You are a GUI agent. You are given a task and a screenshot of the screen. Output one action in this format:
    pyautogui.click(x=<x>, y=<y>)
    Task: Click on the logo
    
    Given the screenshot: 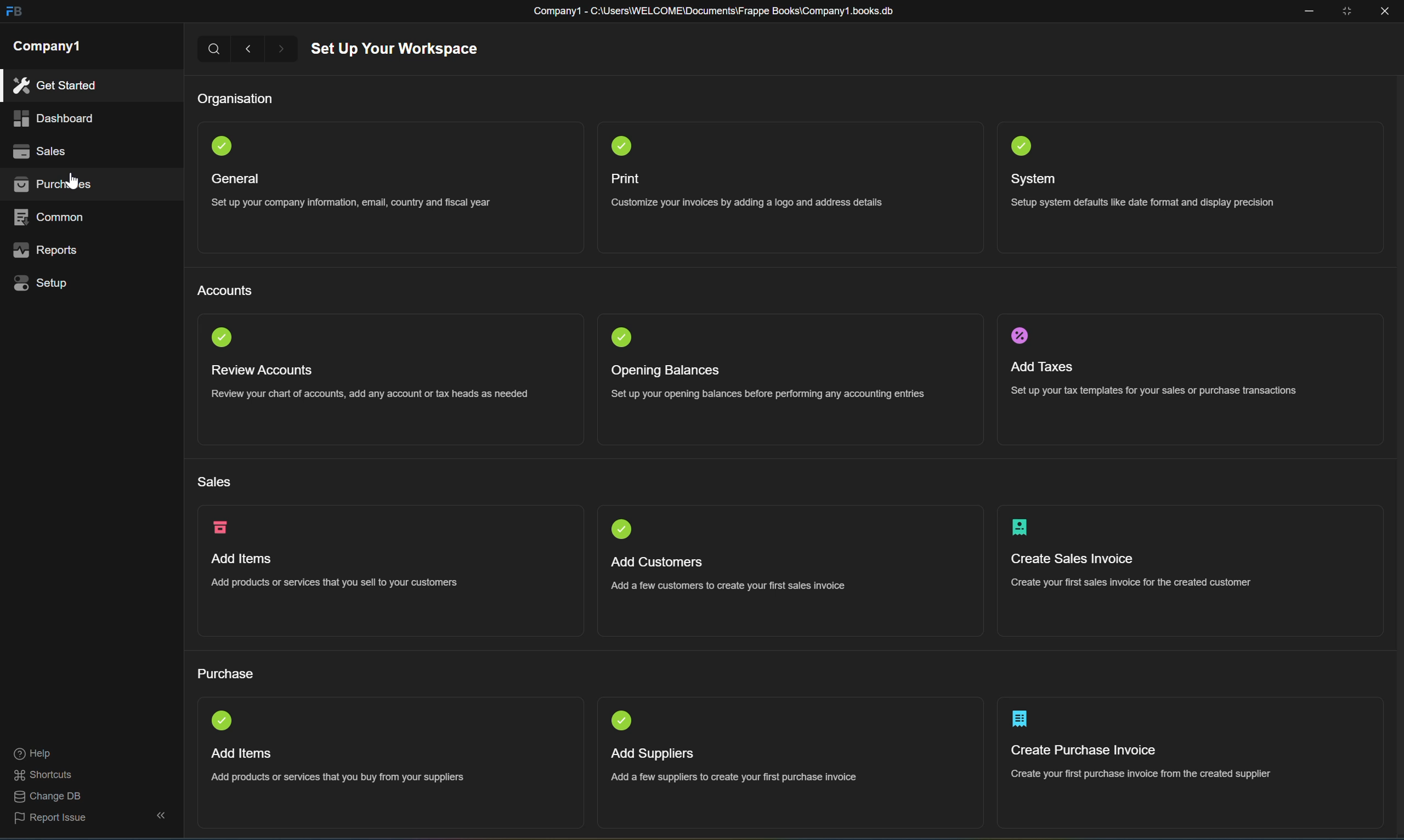 What is the action you would take?
    pyautogui.click(x=623, y=147)
    